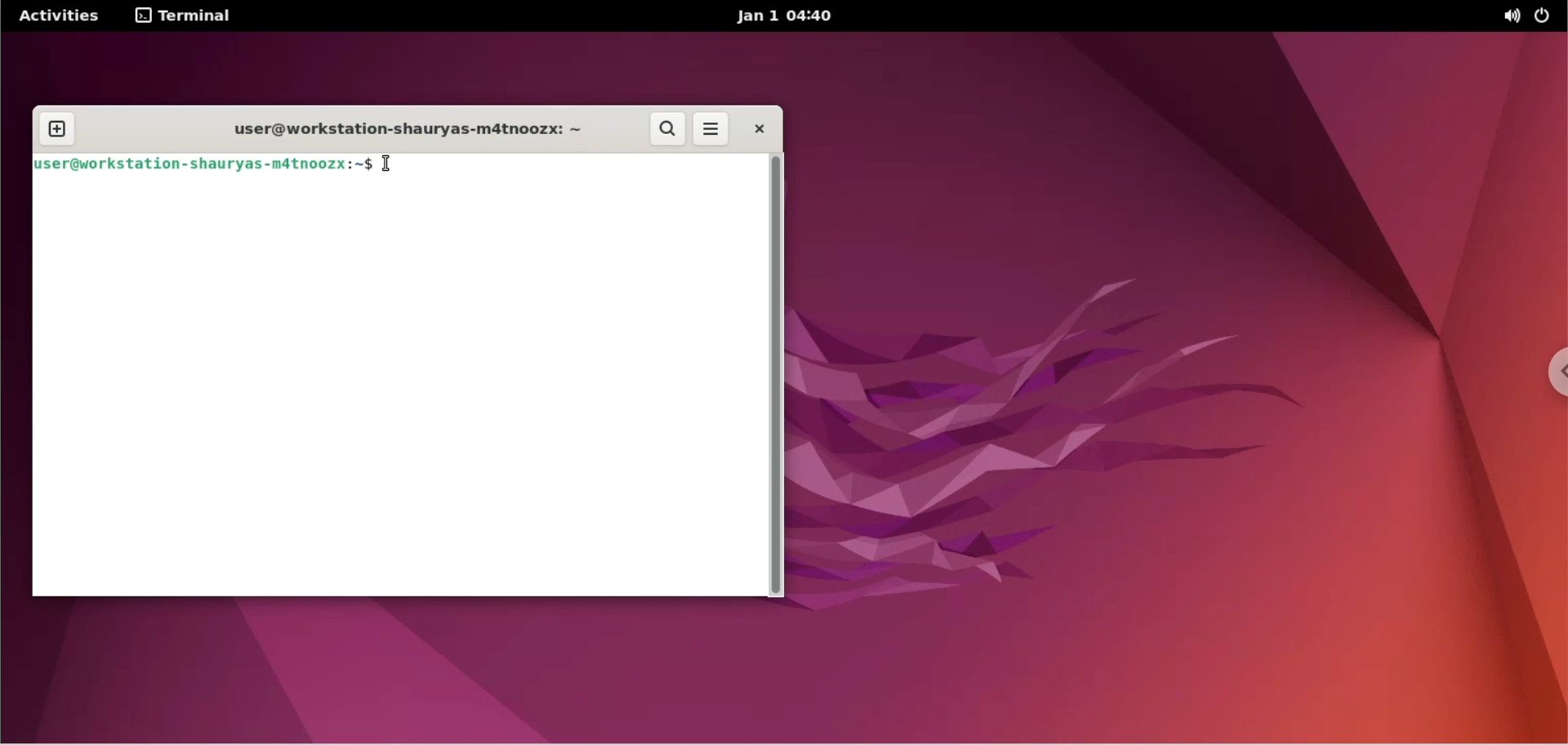  Describe the element at coordinates (58, 131) in the screenshot. I see `new tab` at that location.